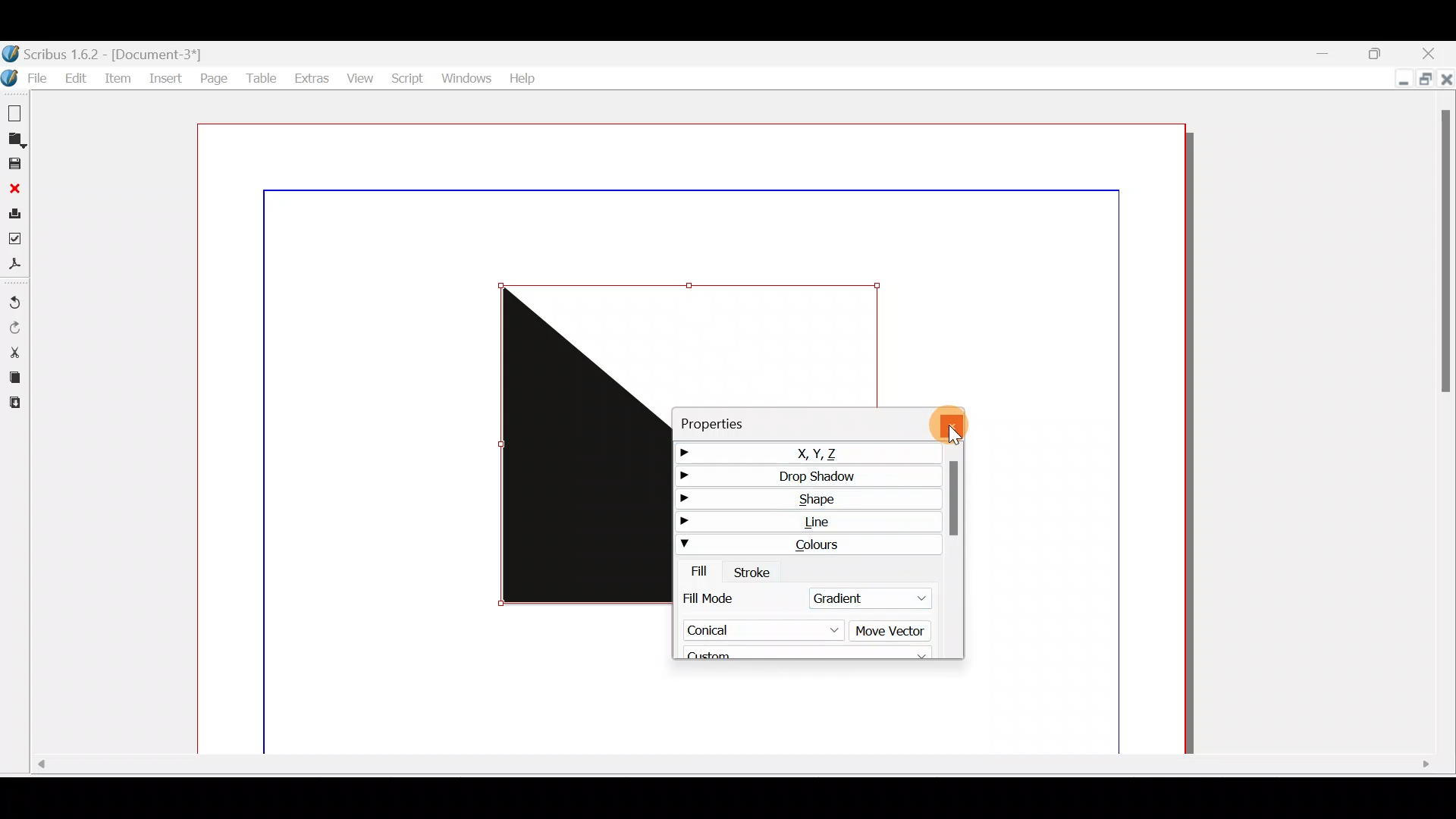 This screenshot has width=1456, height=819. I want to click on Close, so click(13, 187).